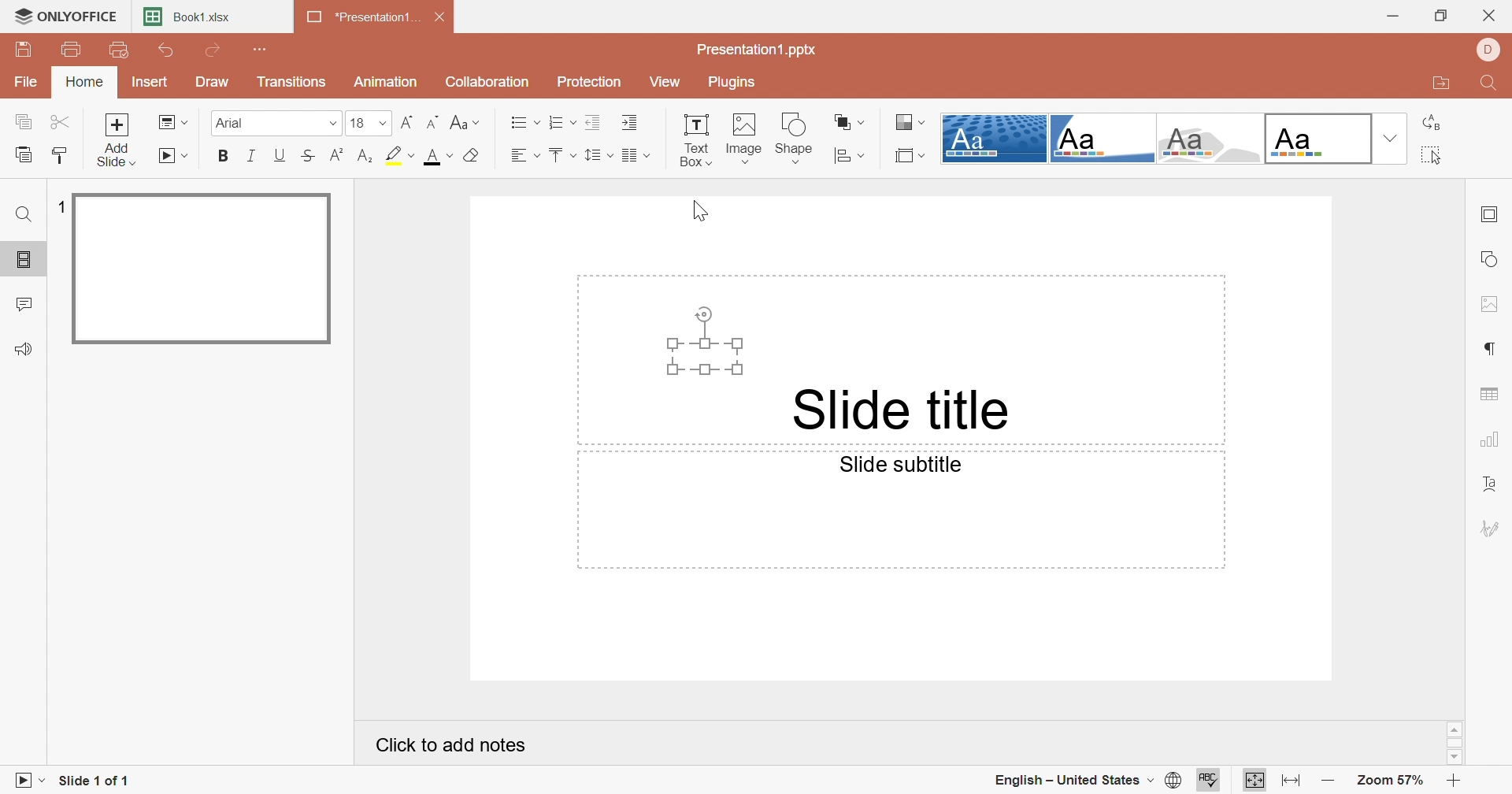  Describe the element at coordinates (439, 15) in the screenshot. I see `Close` at that location.